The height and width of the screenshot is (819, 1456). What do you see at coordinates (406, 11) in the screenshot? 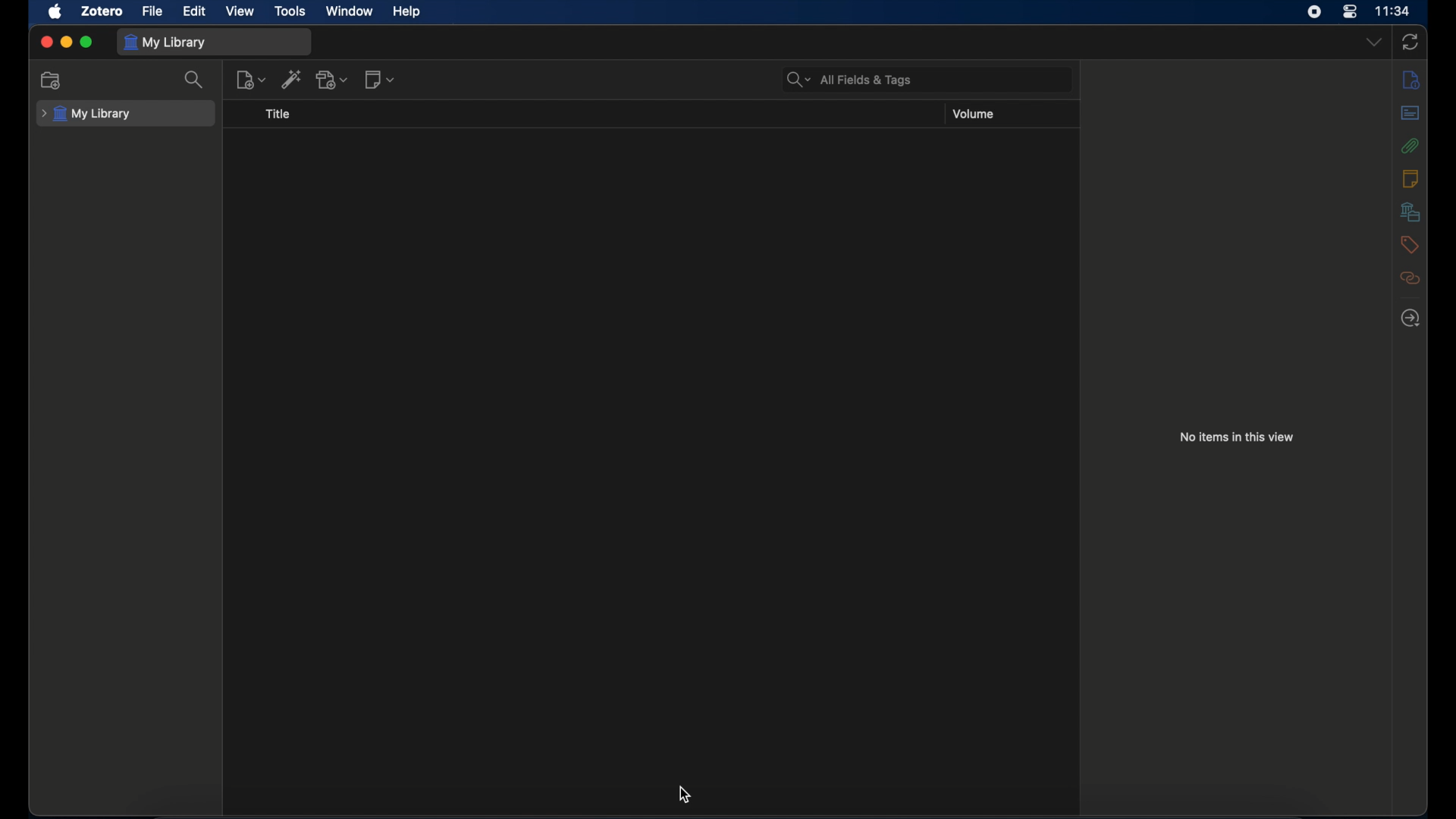
I see `help` at bounding box center [406, 11].